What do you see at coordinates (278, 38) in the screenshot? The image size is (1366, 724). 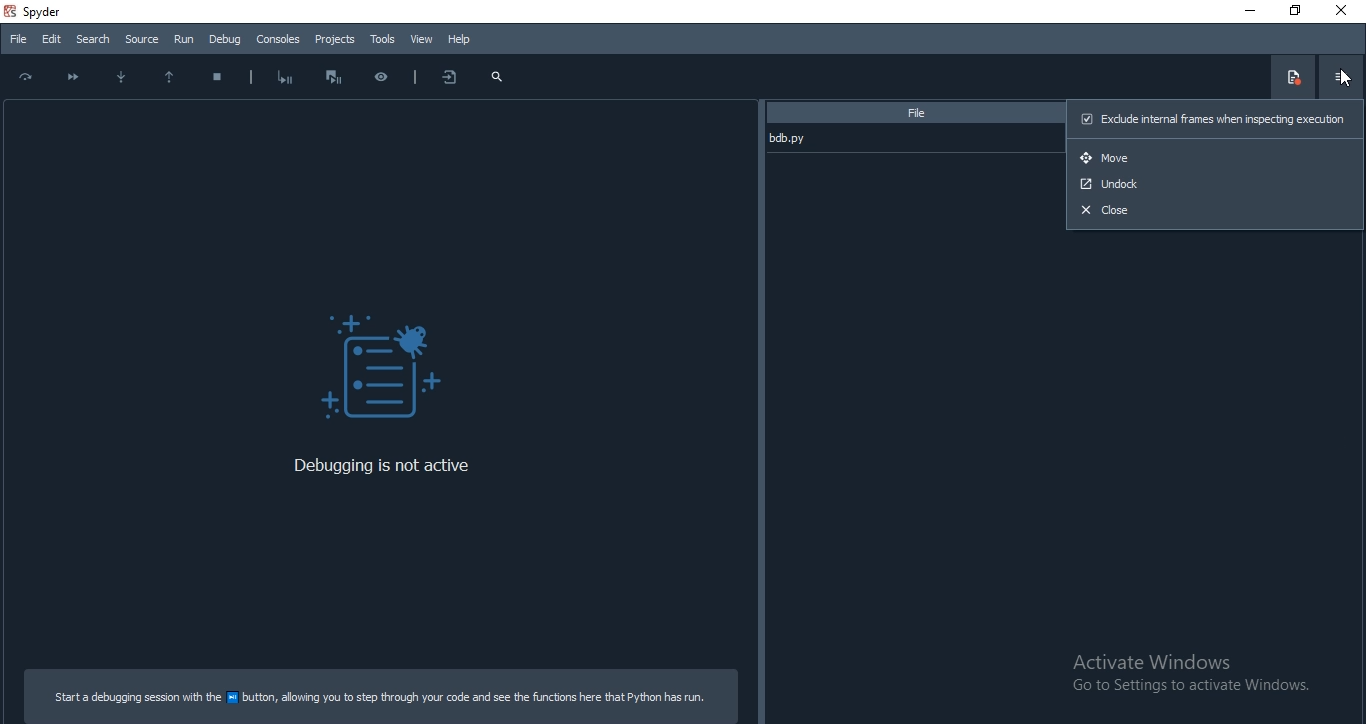 I see `Consoles` at bounding box center [278, 38].